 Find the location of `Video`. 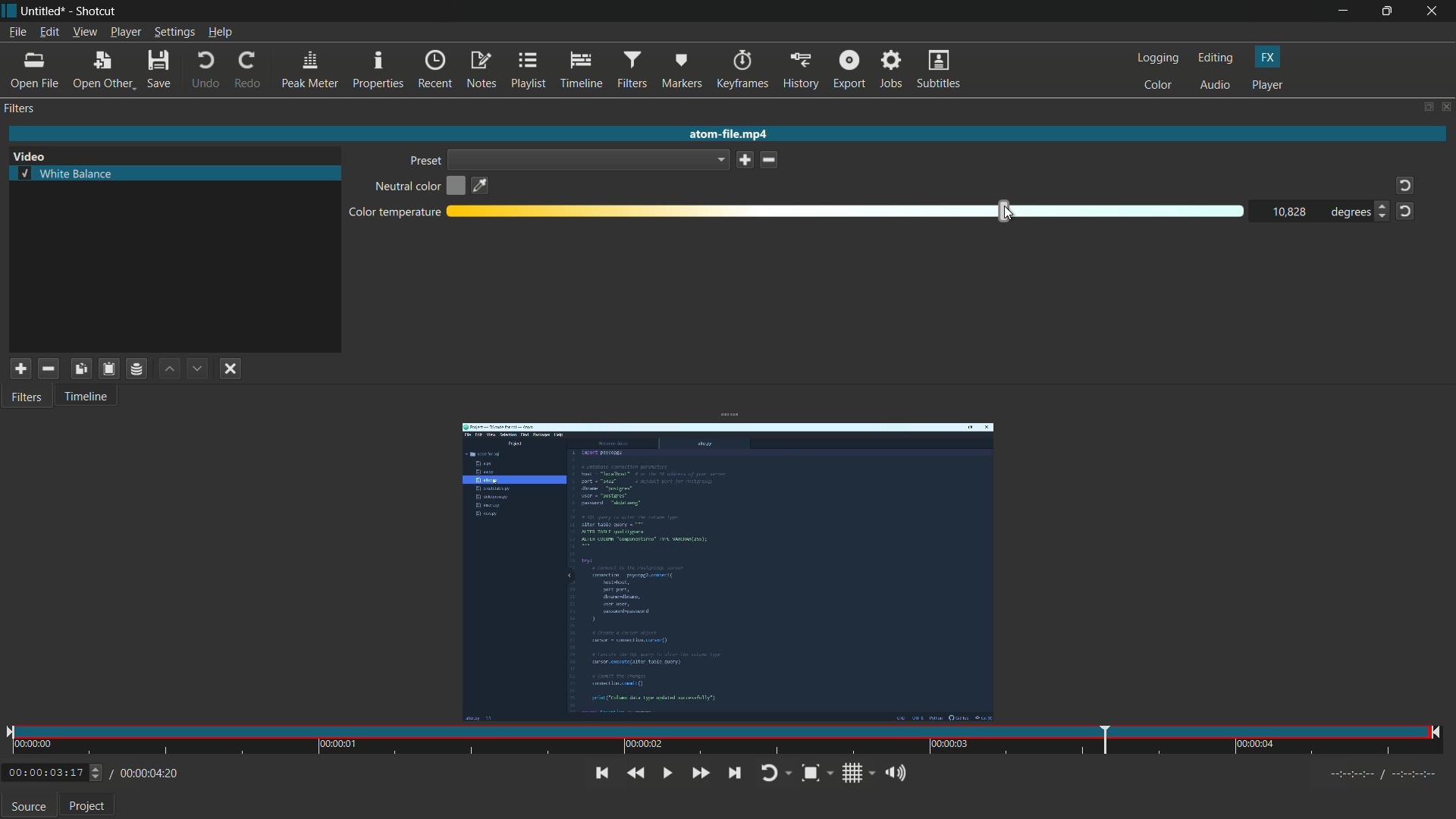

Video is located at coordinates (33, 154).